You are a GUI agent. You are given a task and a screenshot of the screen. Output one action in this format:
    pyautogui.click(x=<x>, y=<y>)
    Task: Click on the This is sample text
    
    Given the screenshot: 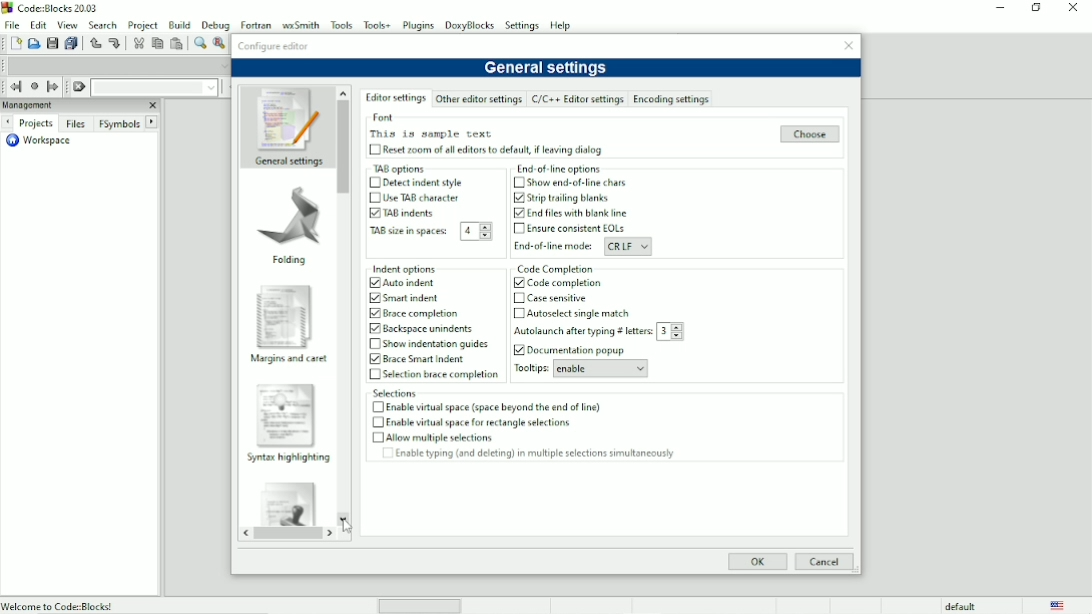 What is the action you would take?
    pyautogui.click(x=432, y=134)
    